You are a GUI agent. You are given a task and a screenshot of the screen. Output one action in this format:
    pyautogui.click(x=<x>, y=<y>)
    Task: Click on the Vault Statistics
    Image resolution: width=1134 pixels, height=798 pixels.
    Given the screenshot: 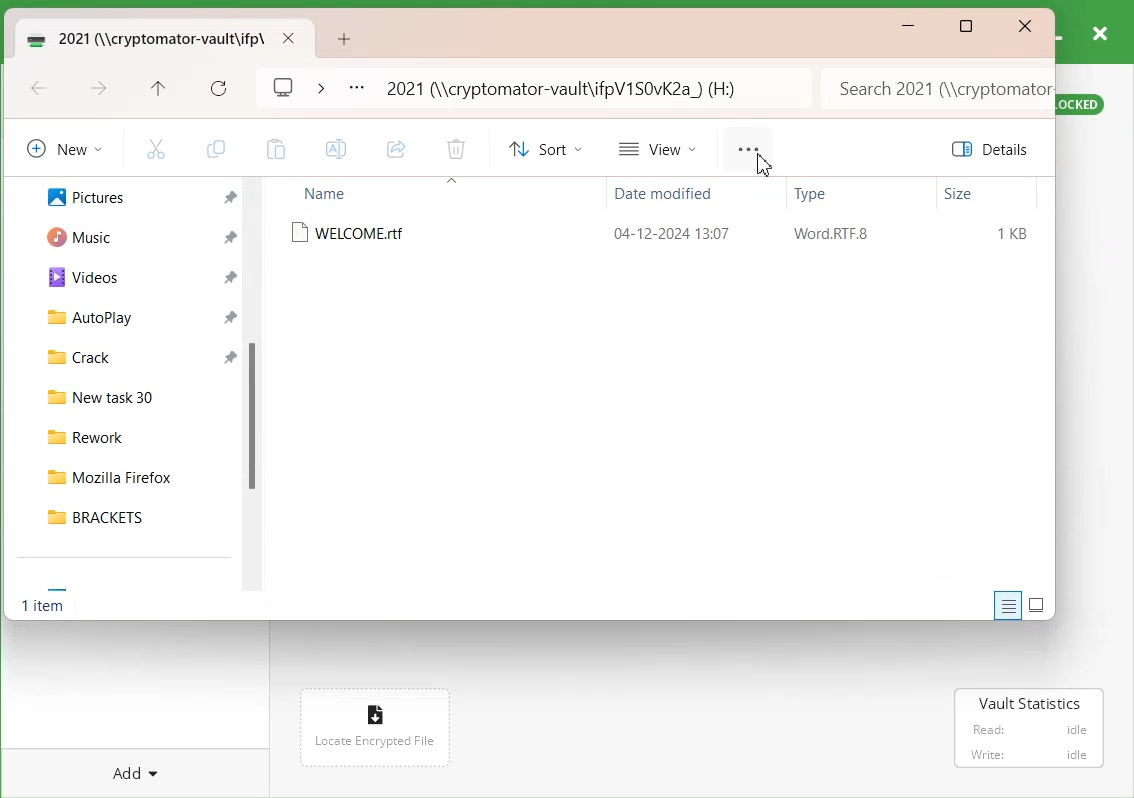 What is the action you would take?
    pyautogui.click(x=1026, y=700)
    